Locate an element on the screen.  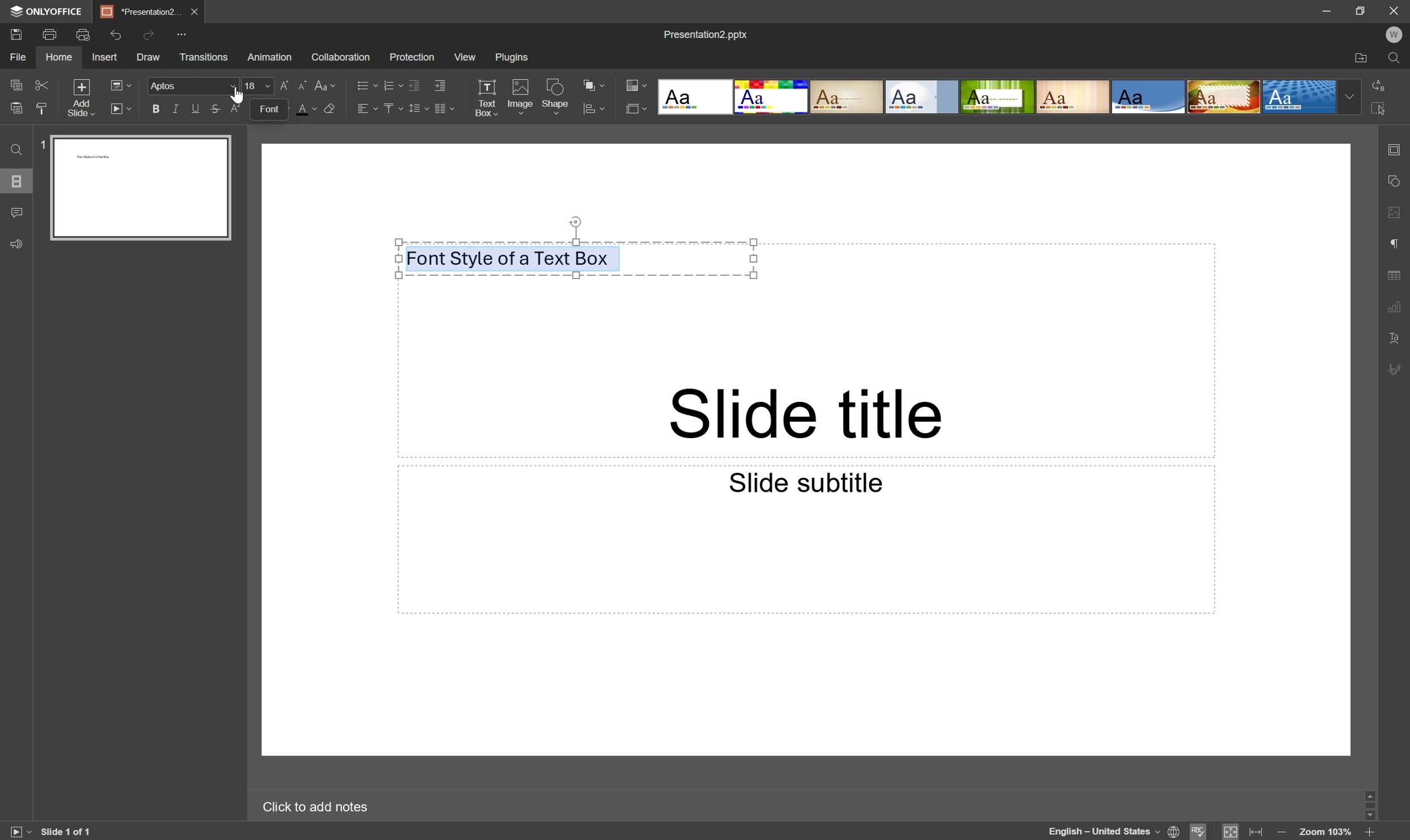
Scroll Bar is located at coordinates (1369, 804).